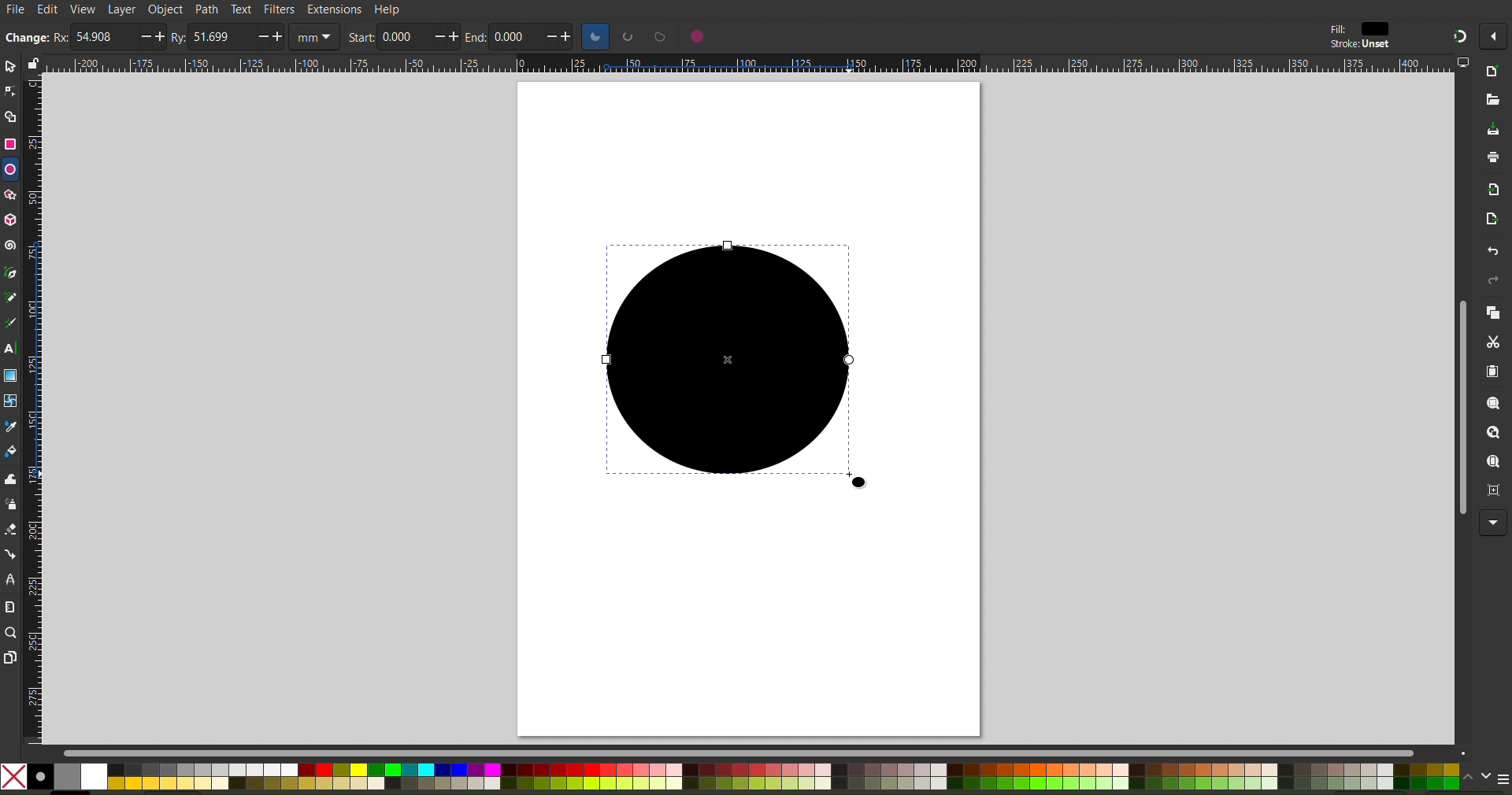 Image resolution: width=1512 pixels, height=795 pixels. I want to click on end, so click(475, 40).